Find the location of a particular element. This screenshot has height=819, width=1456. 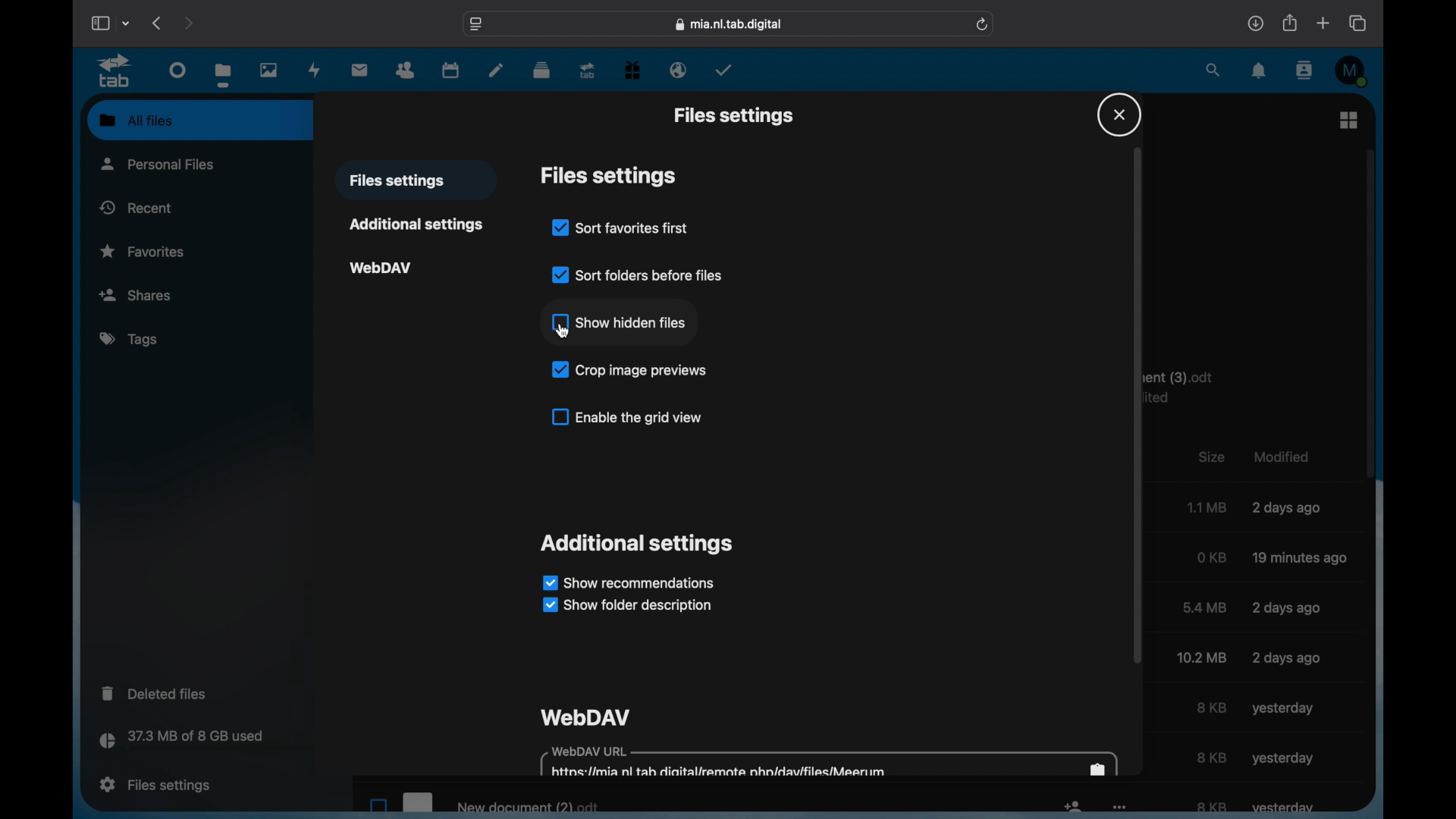

search is located at coordinates (1213, 71).